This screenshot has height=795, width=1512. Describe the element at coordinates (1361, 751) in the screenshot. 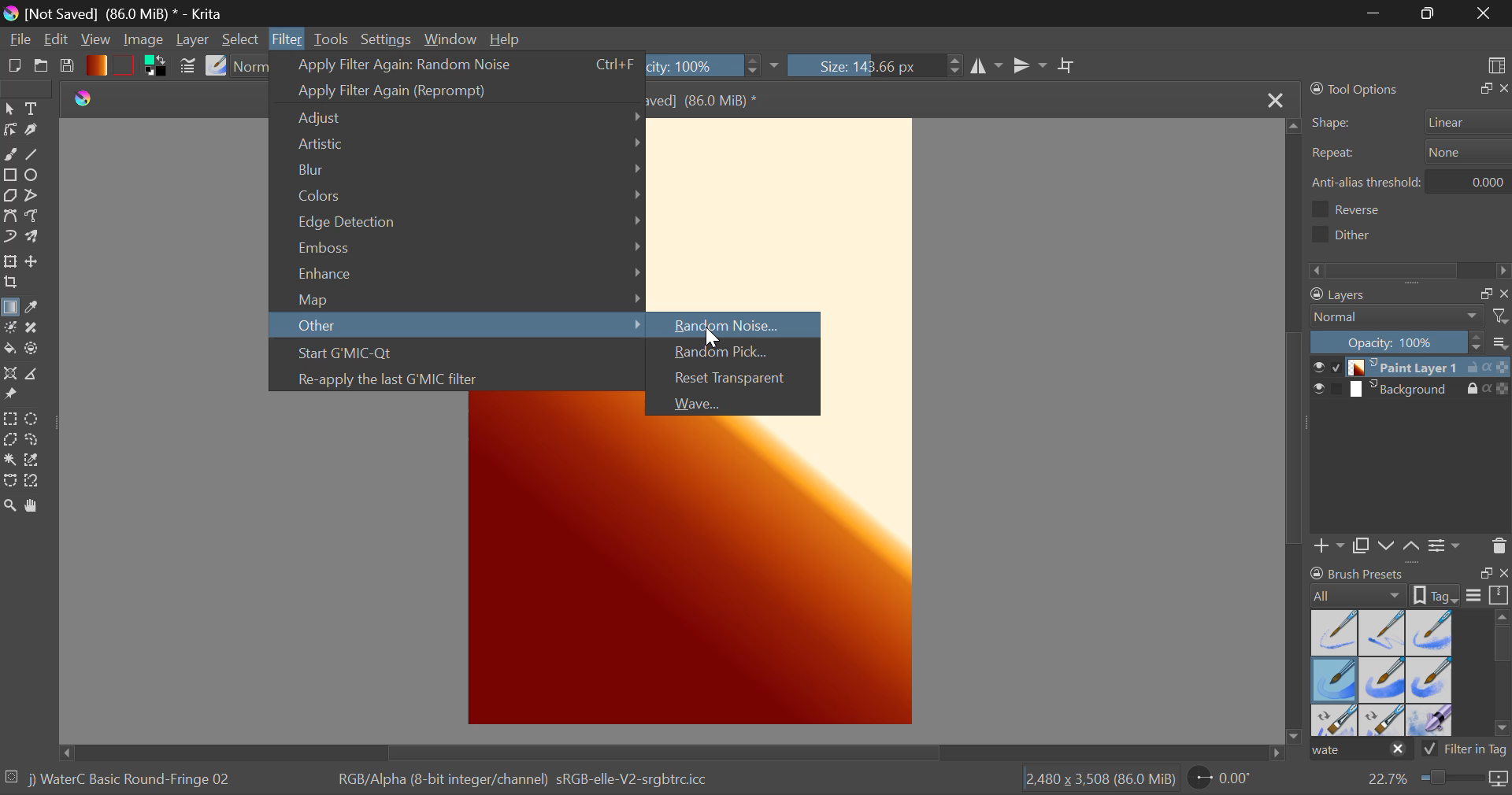

I see `Wate` at that location.